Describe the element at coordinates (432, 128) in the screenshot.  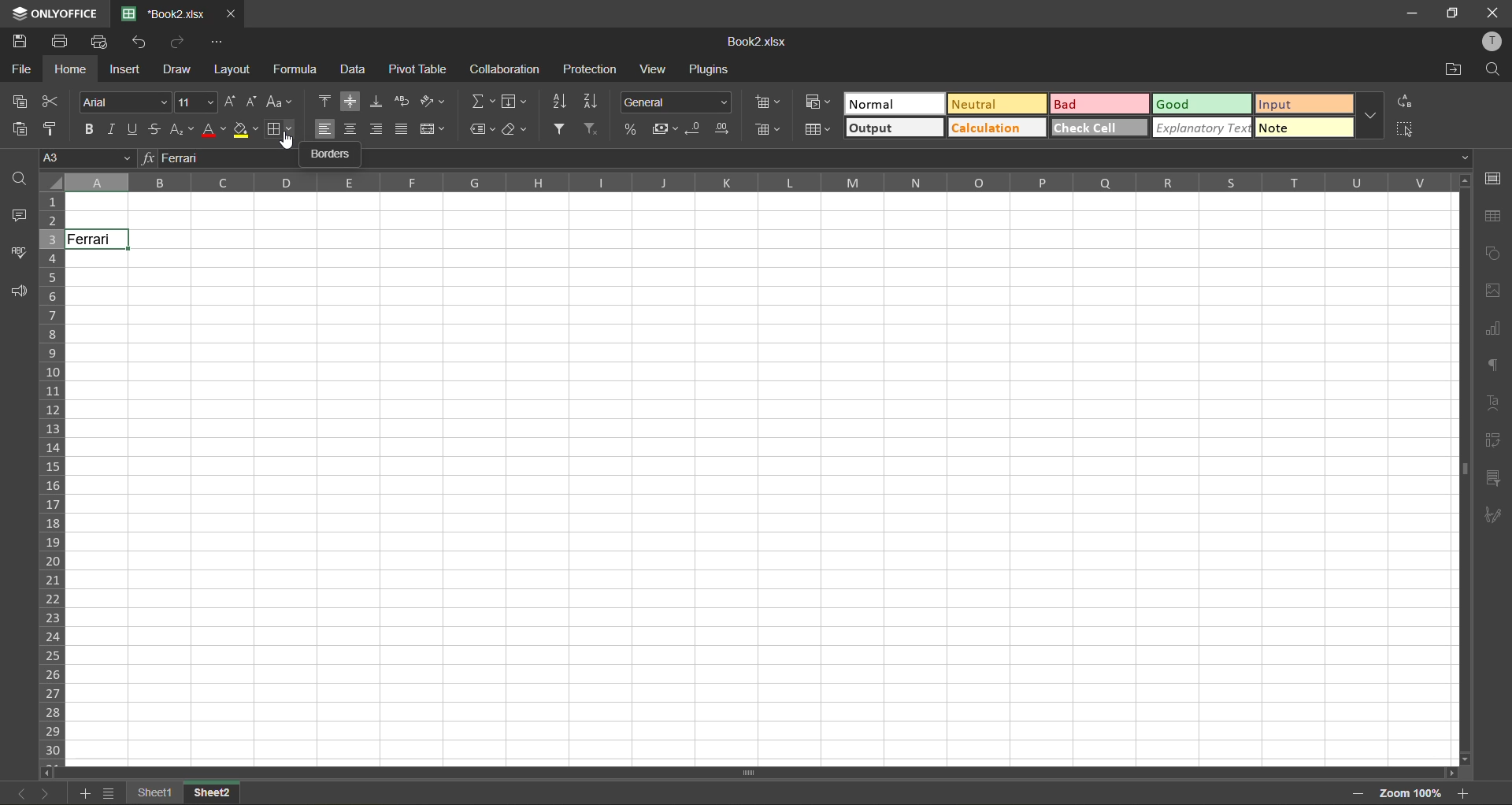
I see `merge and center` at that location.